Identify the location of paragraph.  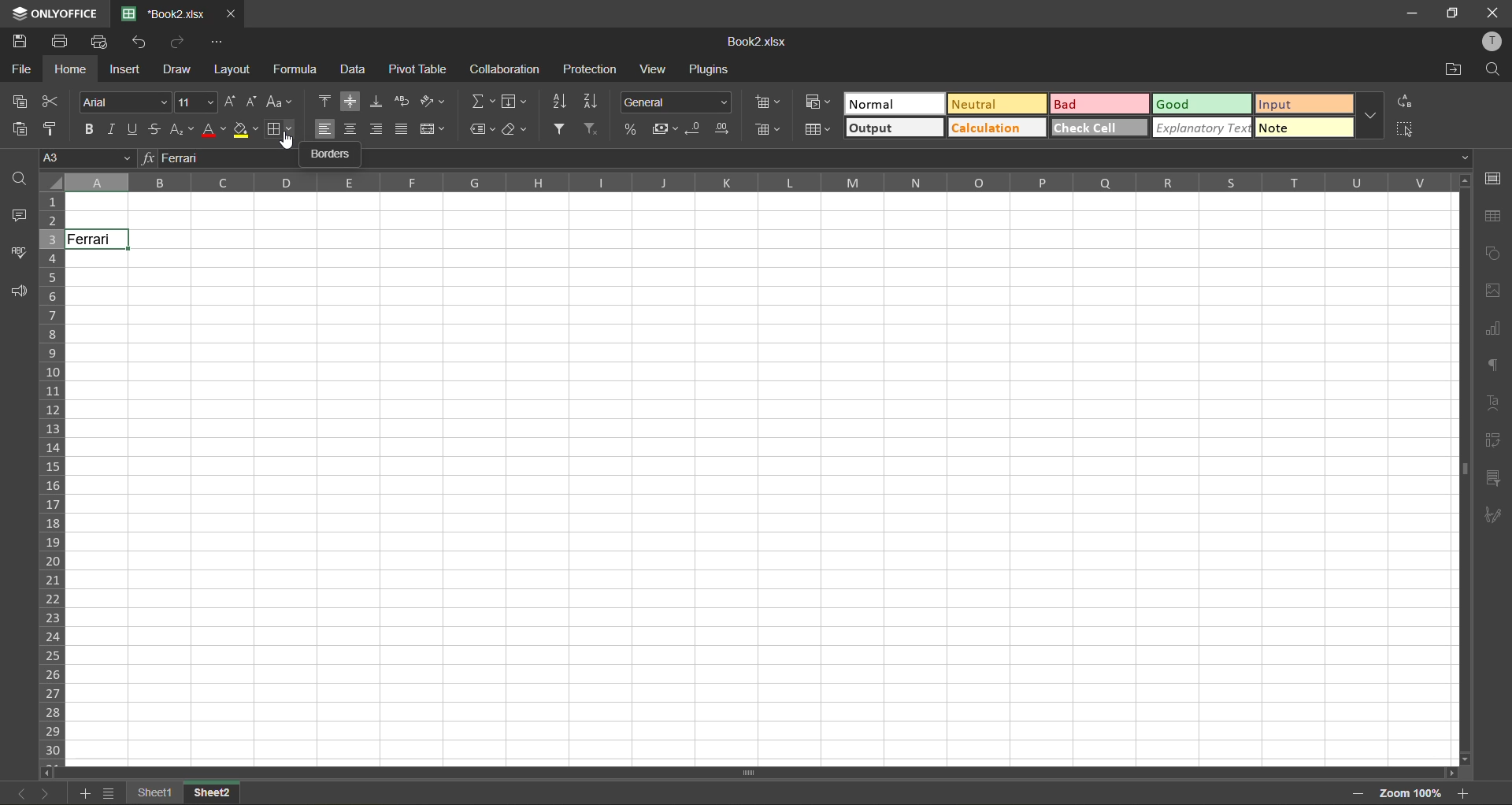
(1494, 367).